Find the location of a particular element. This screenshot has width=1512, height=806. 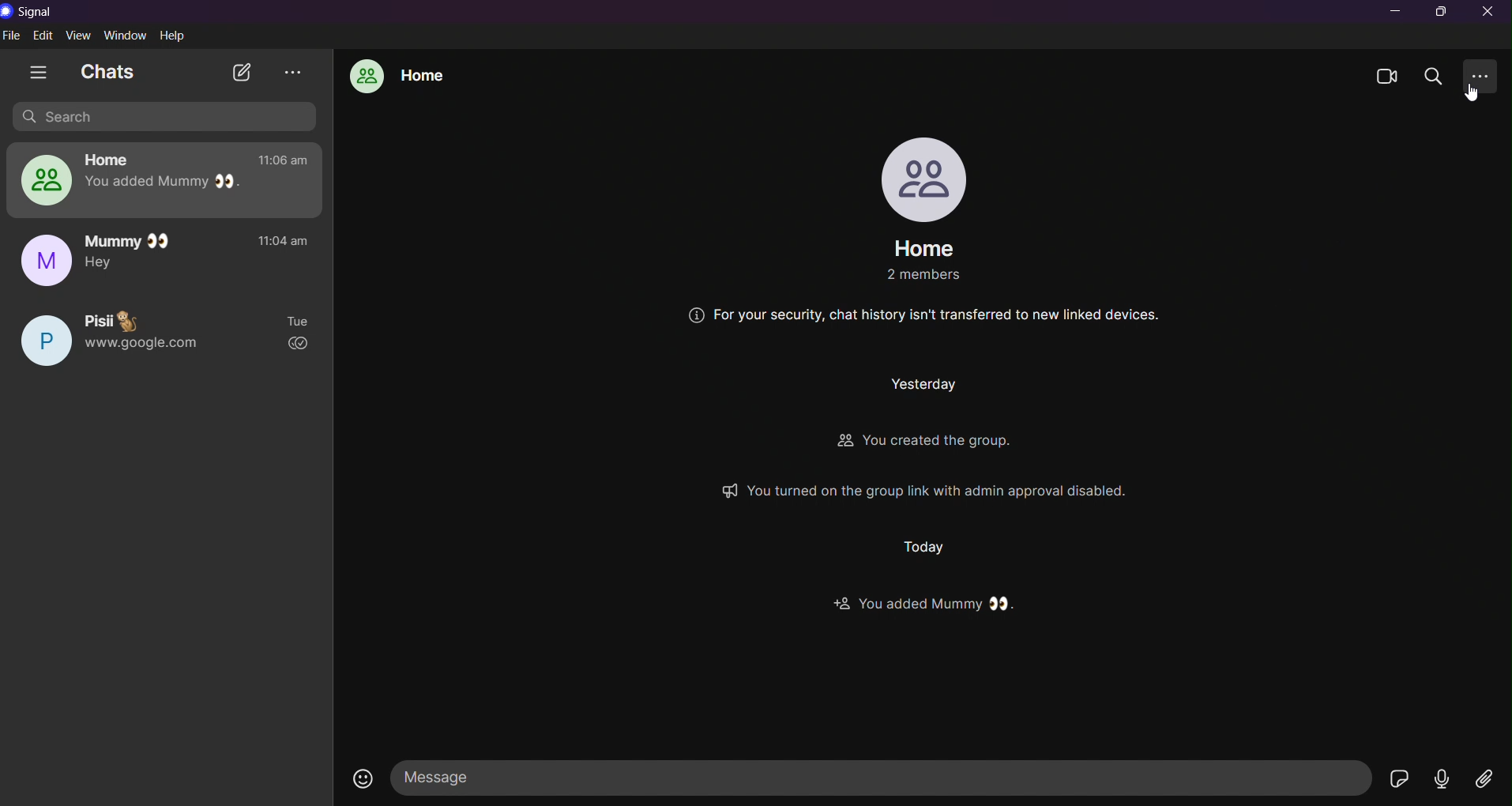

minimize is located at coordinates (1397, 13).